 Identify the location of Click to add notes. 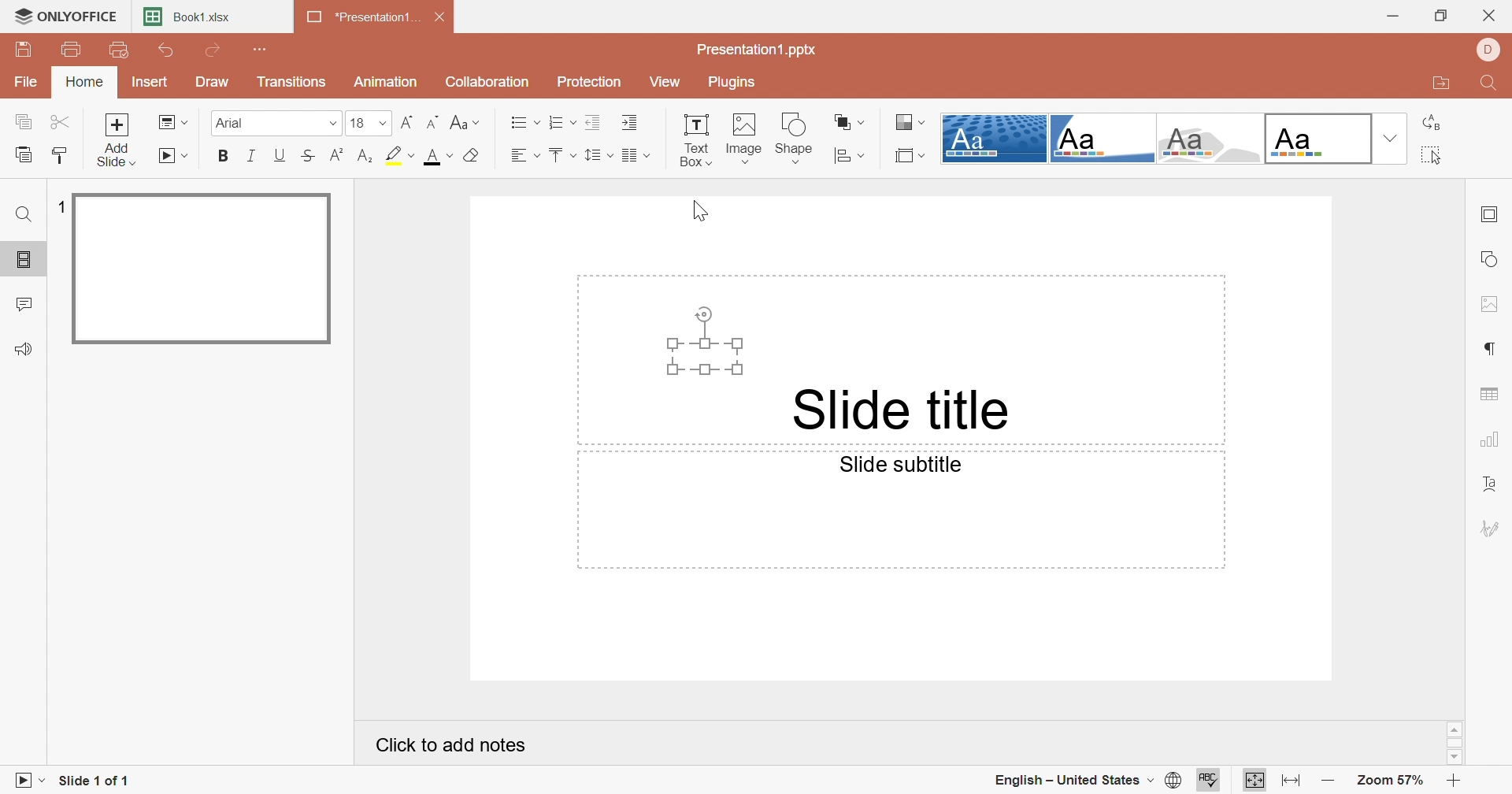
(452, 747).